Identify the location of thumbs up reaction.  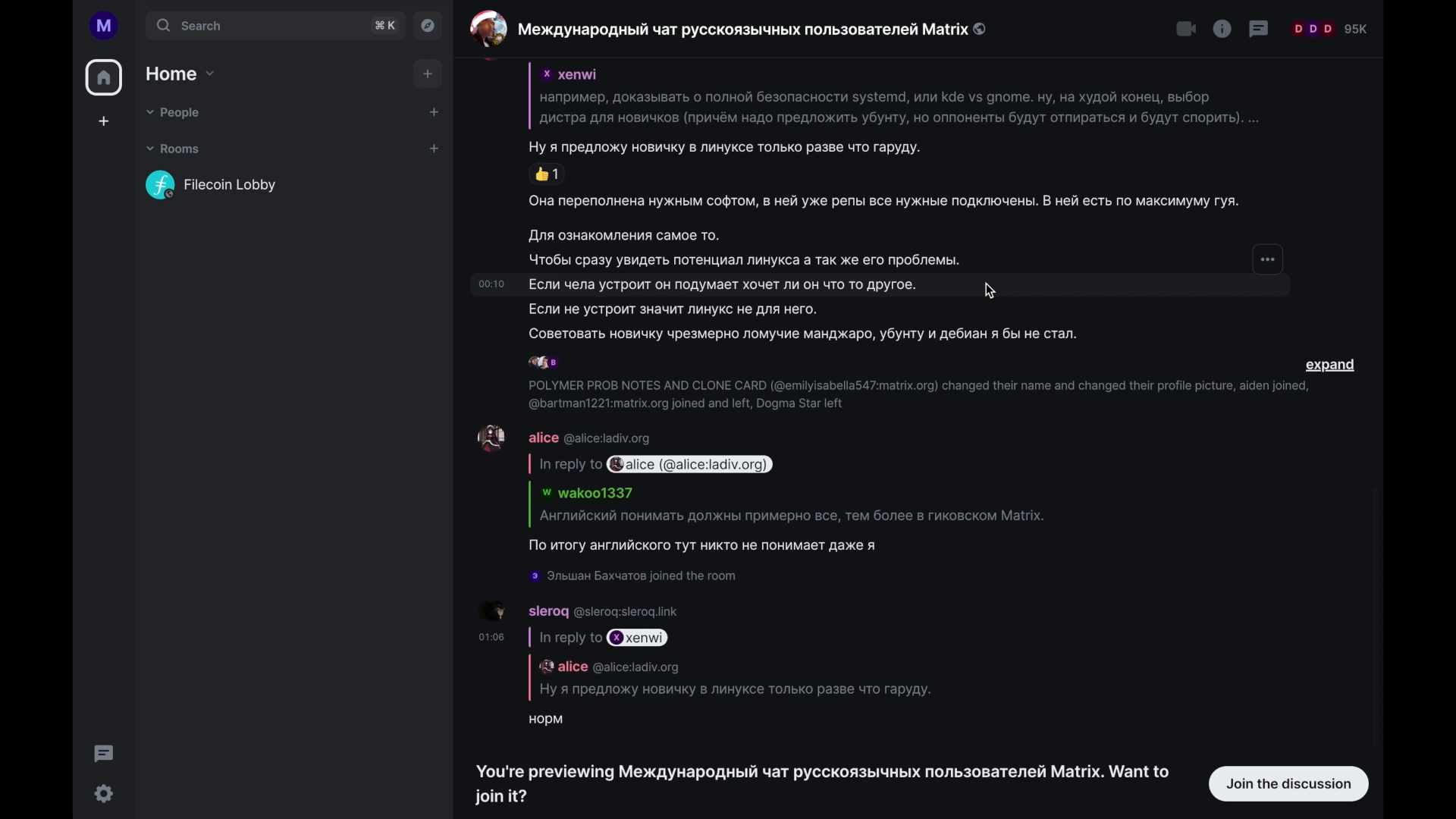
(546, 175).